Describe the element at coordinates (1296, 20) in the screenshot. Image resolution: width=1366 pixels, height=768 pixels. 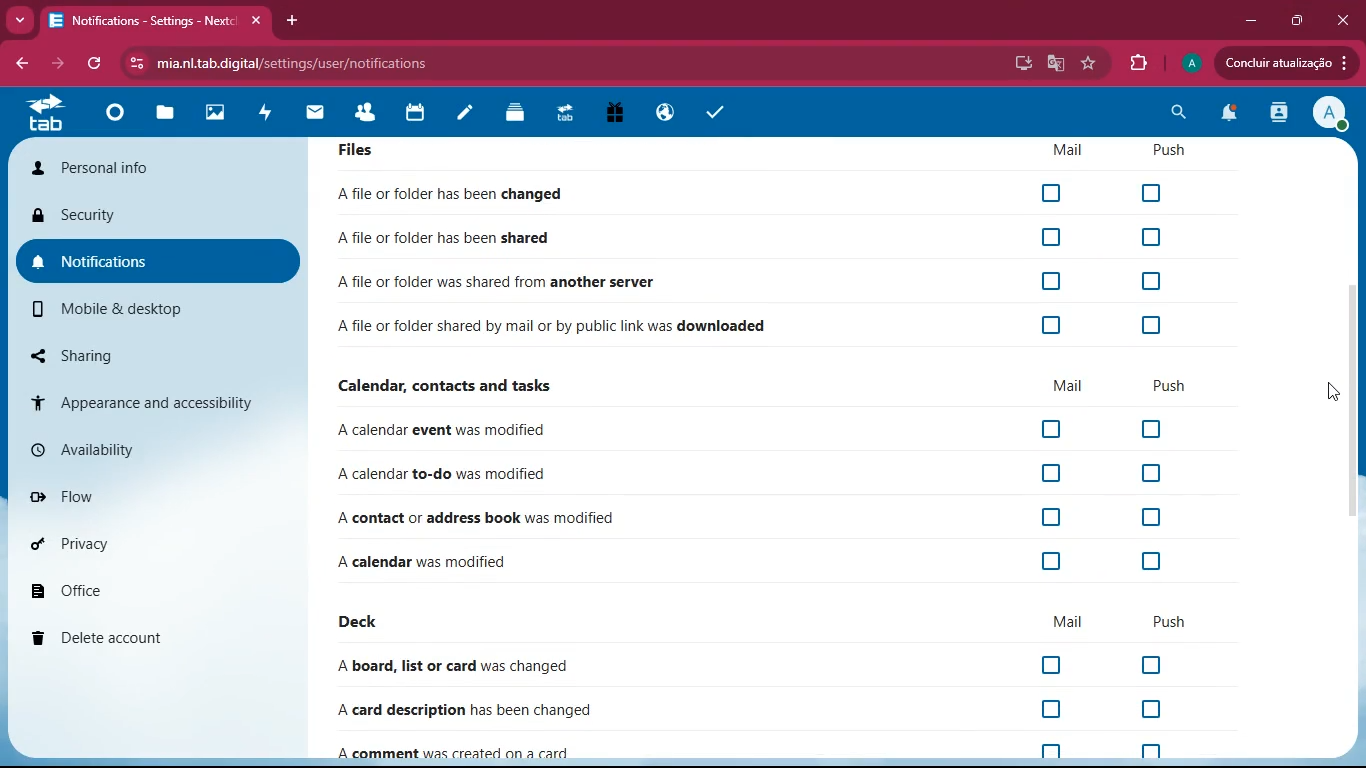
I see `maximize` at that location.